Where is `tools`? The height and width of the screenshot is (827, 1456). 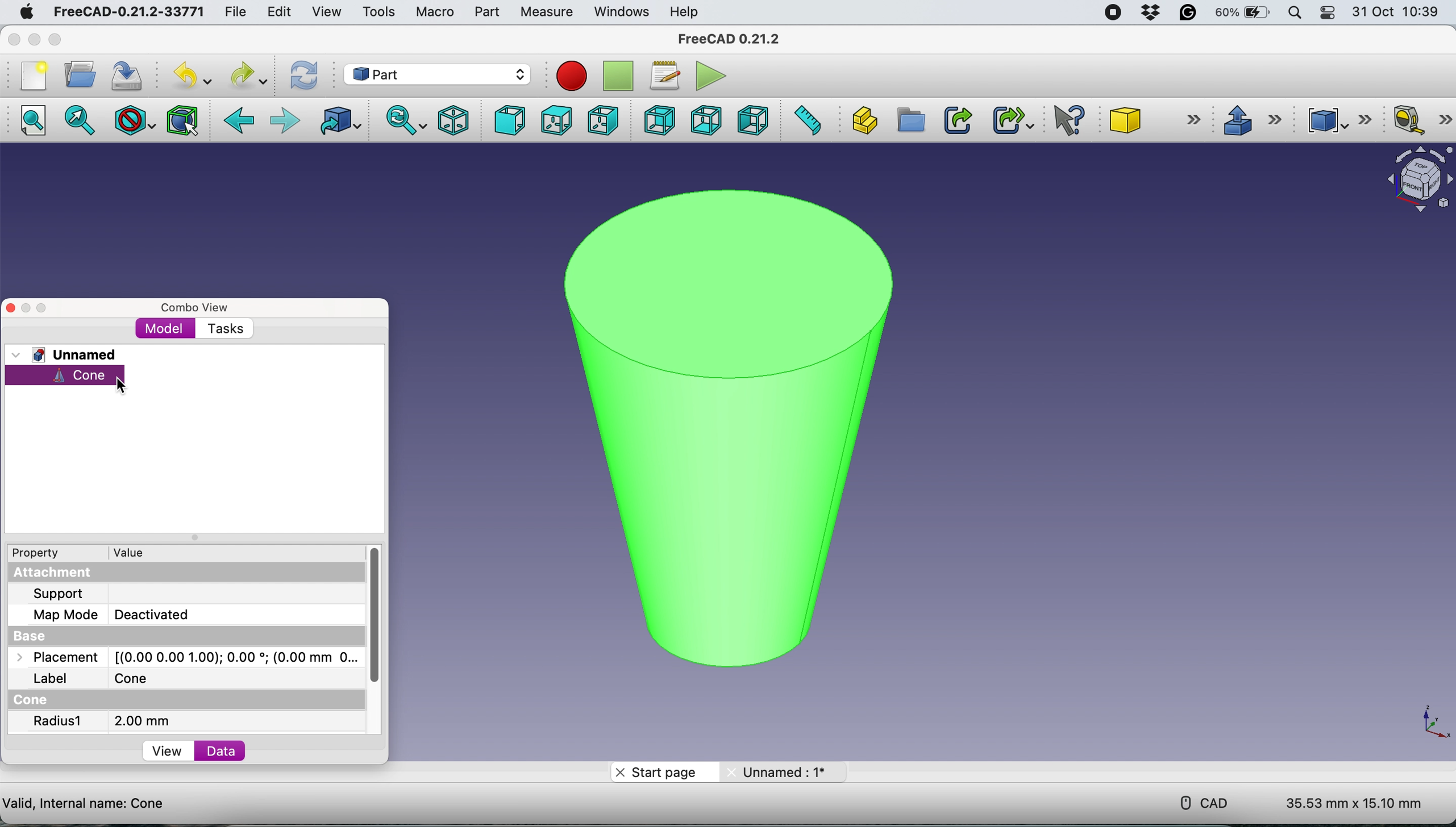 tools is located at coordinates (379, 12).